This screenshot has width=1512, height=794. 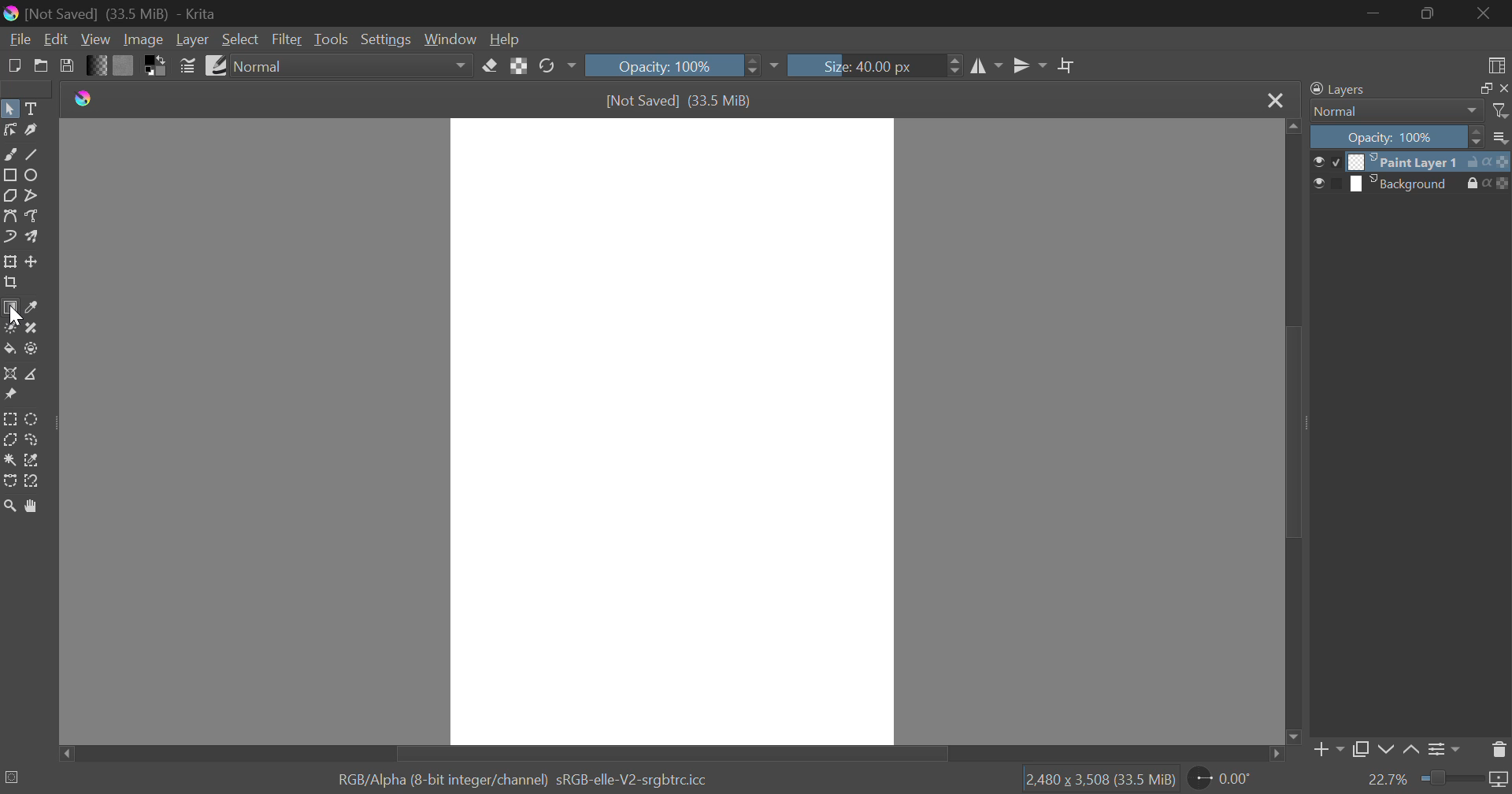 What do you see at coordinates (9, 328) in the screenshot?
I see `Colorize Mask Tool` at bounding box center [9, 328].